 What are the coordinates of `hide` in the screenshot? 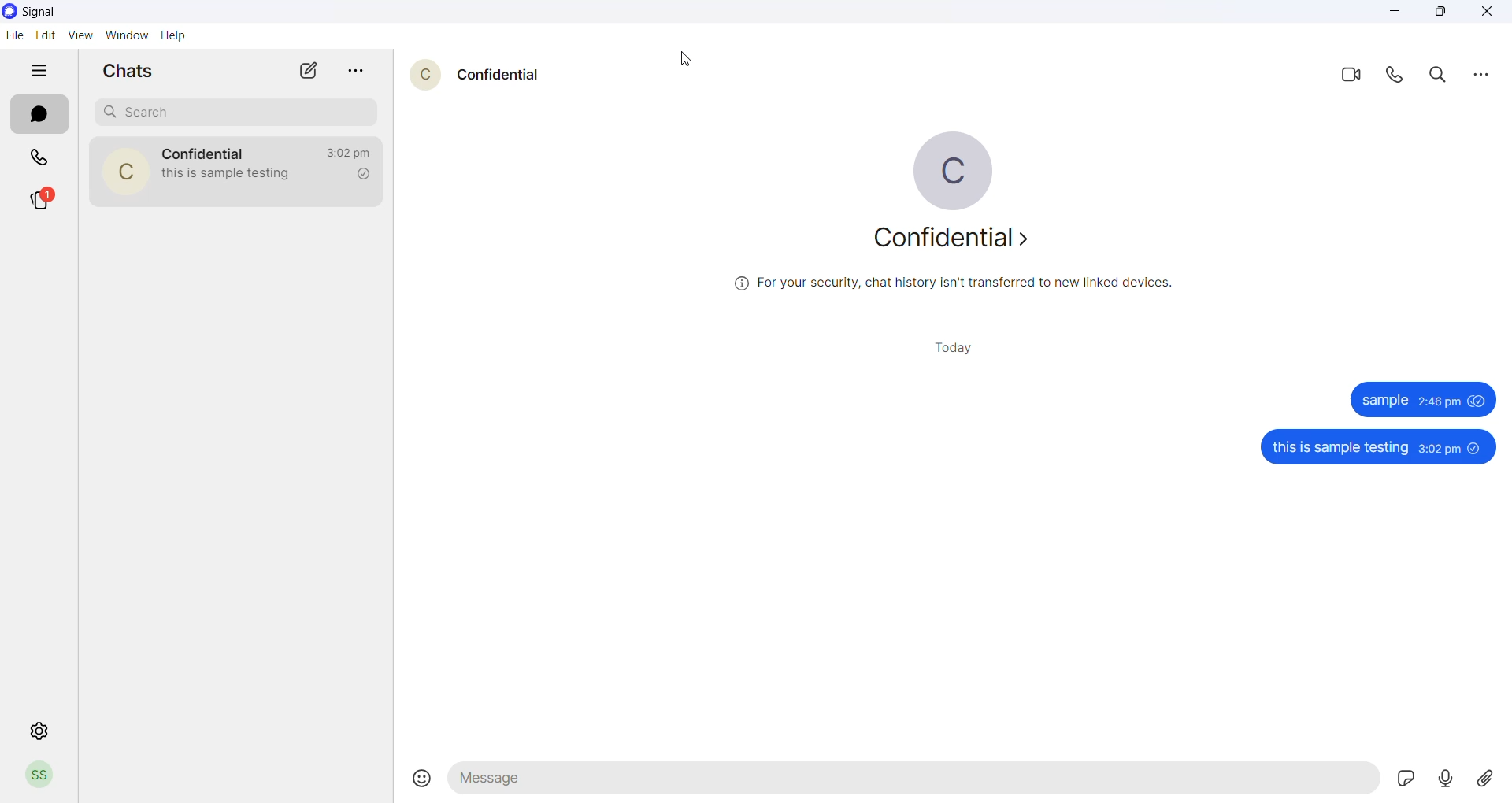 It's located at (41, 68).